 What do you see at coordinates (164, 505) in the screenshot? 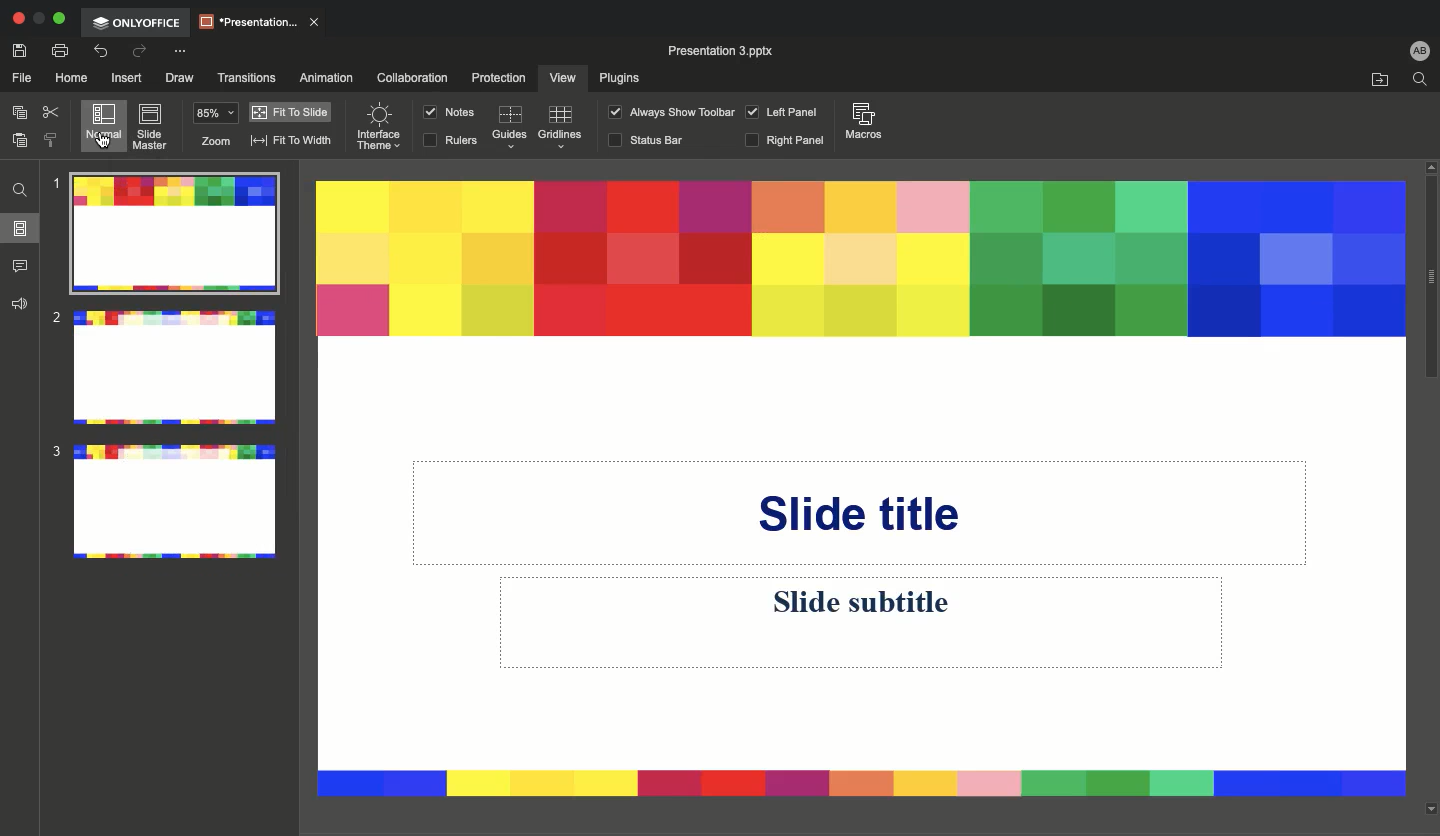
I see `Slide 3 with new layout` at bounding box center [164, 505].